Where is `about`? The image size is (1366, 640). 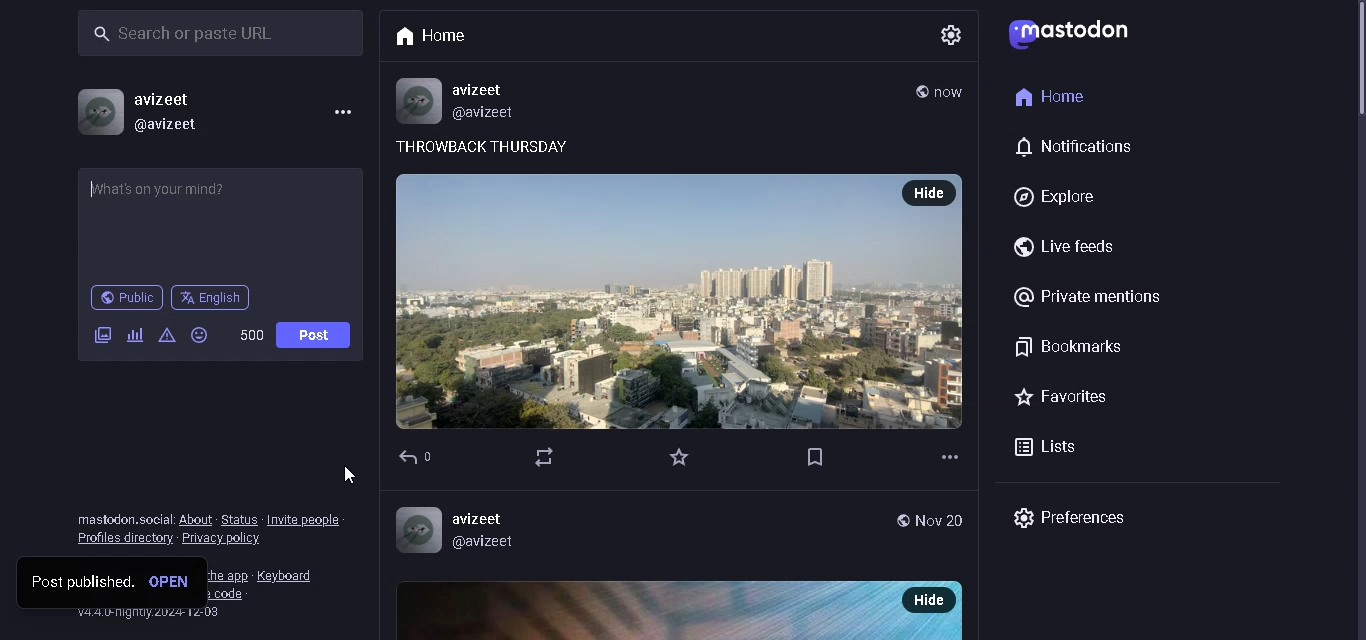 about is located at coordinates (195, 519).